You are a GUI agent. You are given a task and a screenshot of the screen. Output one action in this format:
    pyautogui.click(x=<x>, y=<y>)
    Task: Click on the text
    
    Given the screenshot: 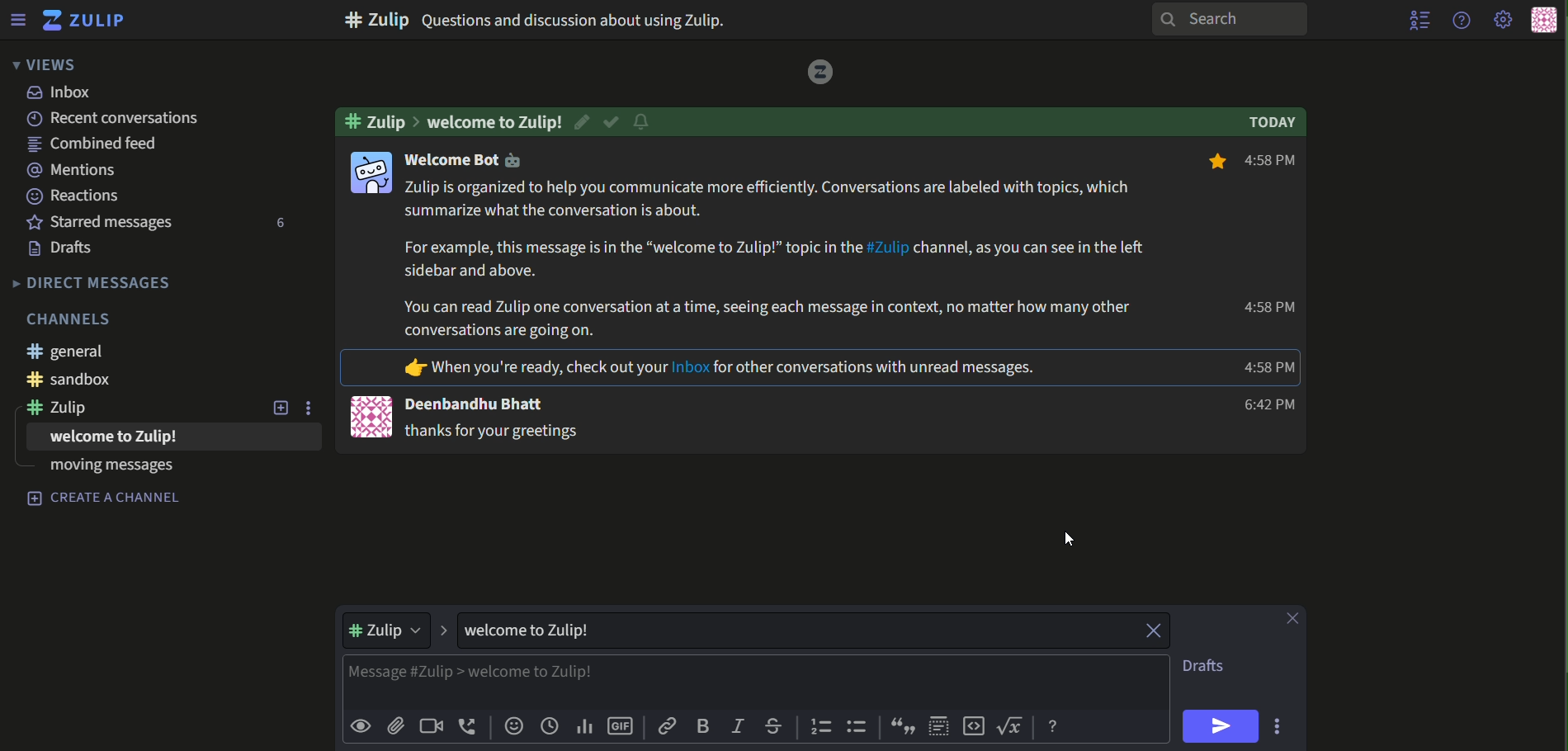 What is the action you would take?
    pyautogui.click(x=89, y=381)
    